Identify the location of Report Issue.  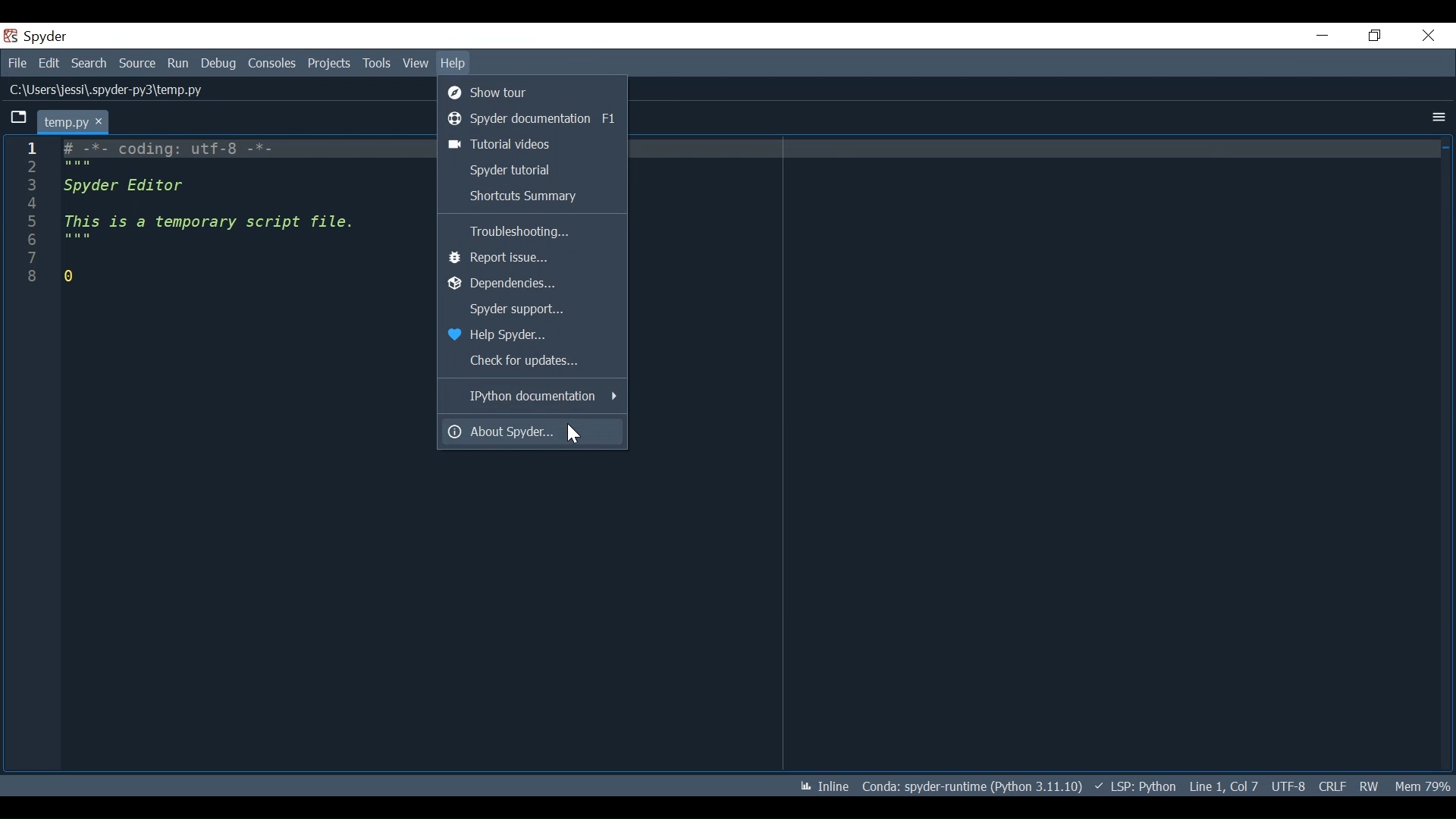
(531, 259).